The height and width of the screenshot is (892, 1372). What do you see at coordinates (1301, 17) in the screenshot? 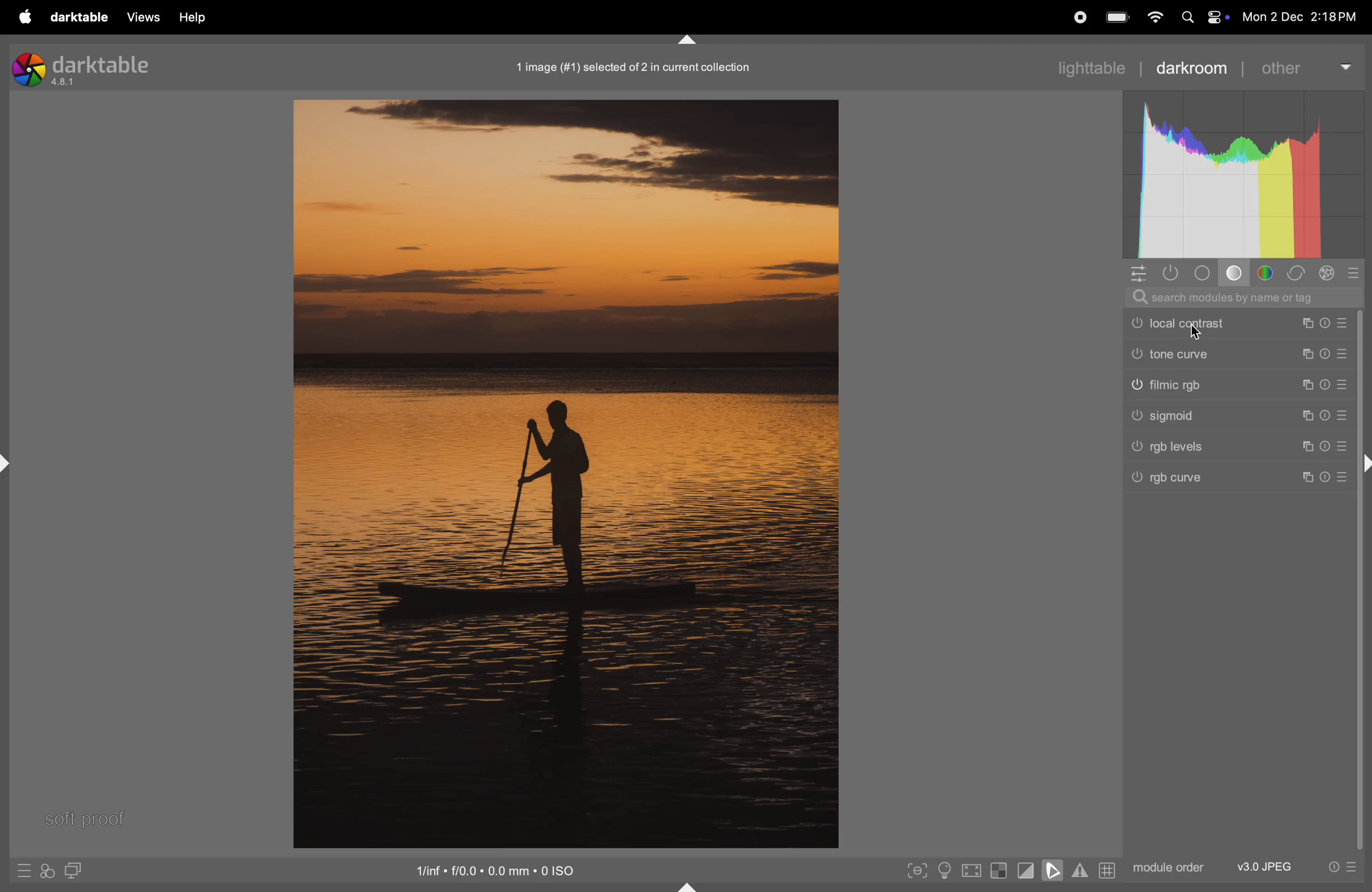
I see `dat and time` at bounding box center [1301, 17].